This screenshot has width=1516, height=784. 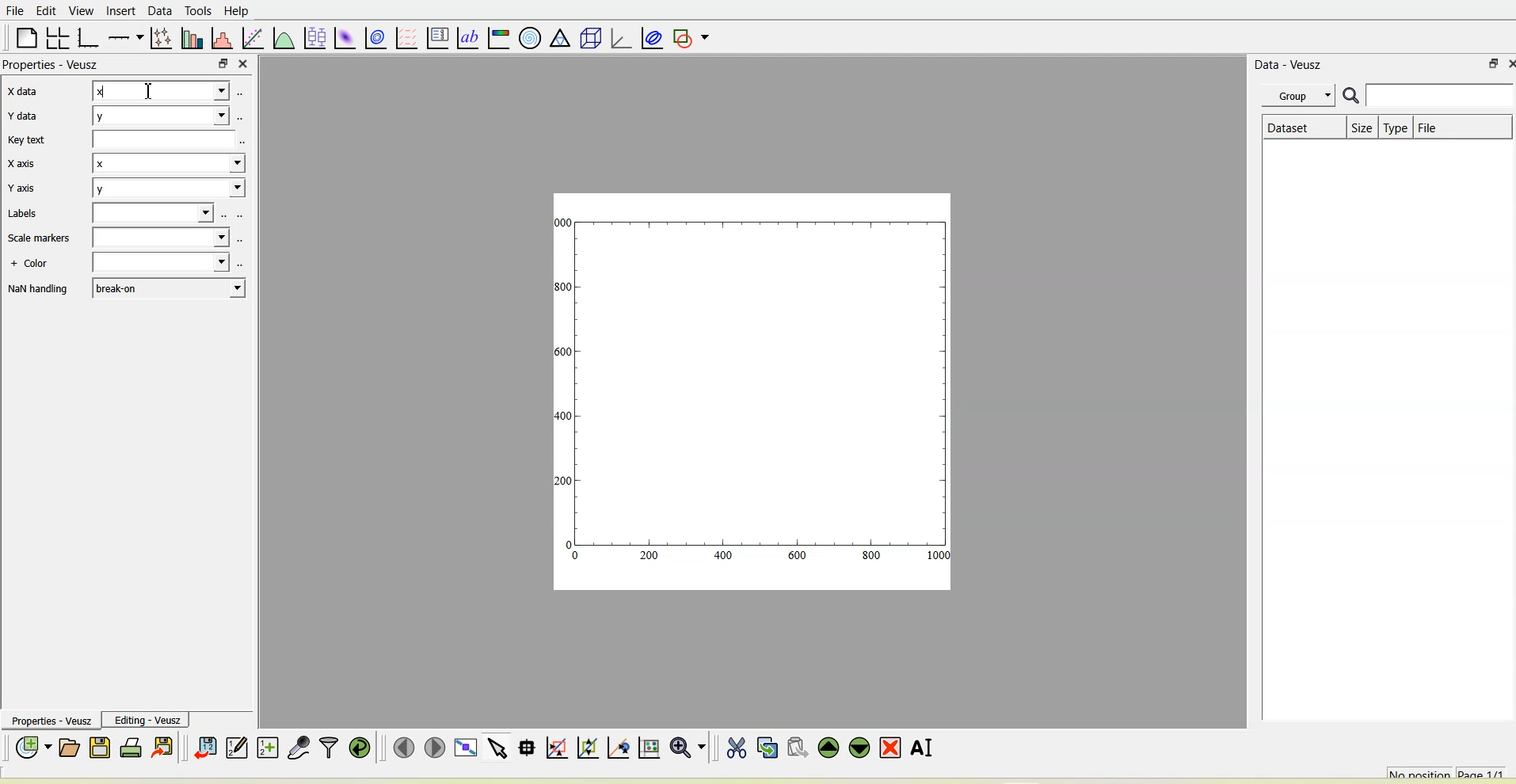 What do you see at coordinates (48, 720) in the screenshot?
I see `Properties - Veusz` at bounding box center [48, 720].